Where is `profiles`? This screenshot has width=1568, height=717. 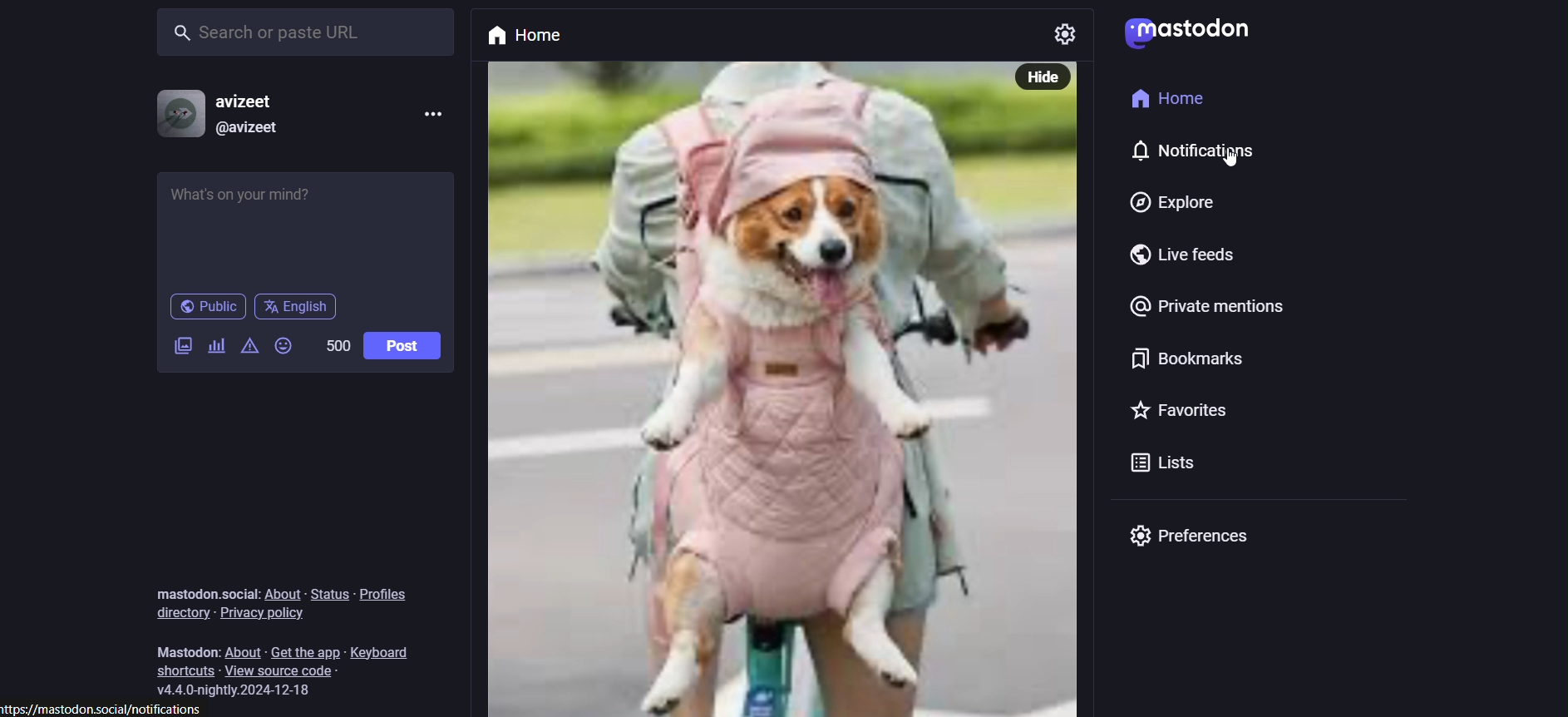
profiles is located at coordinates (386, 593).